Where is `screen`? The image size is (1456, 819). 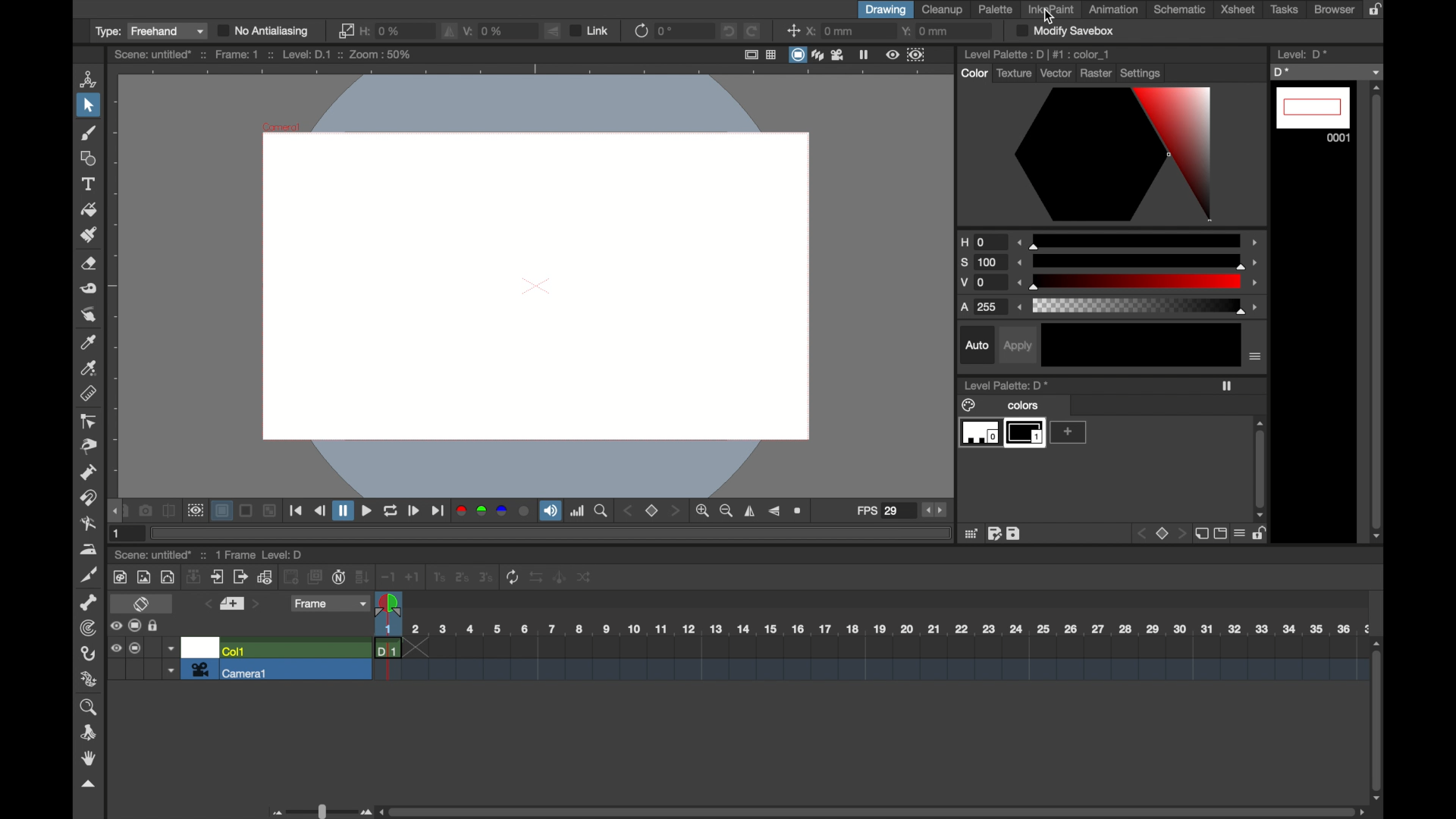 screen is located at coordinates (798, 55).